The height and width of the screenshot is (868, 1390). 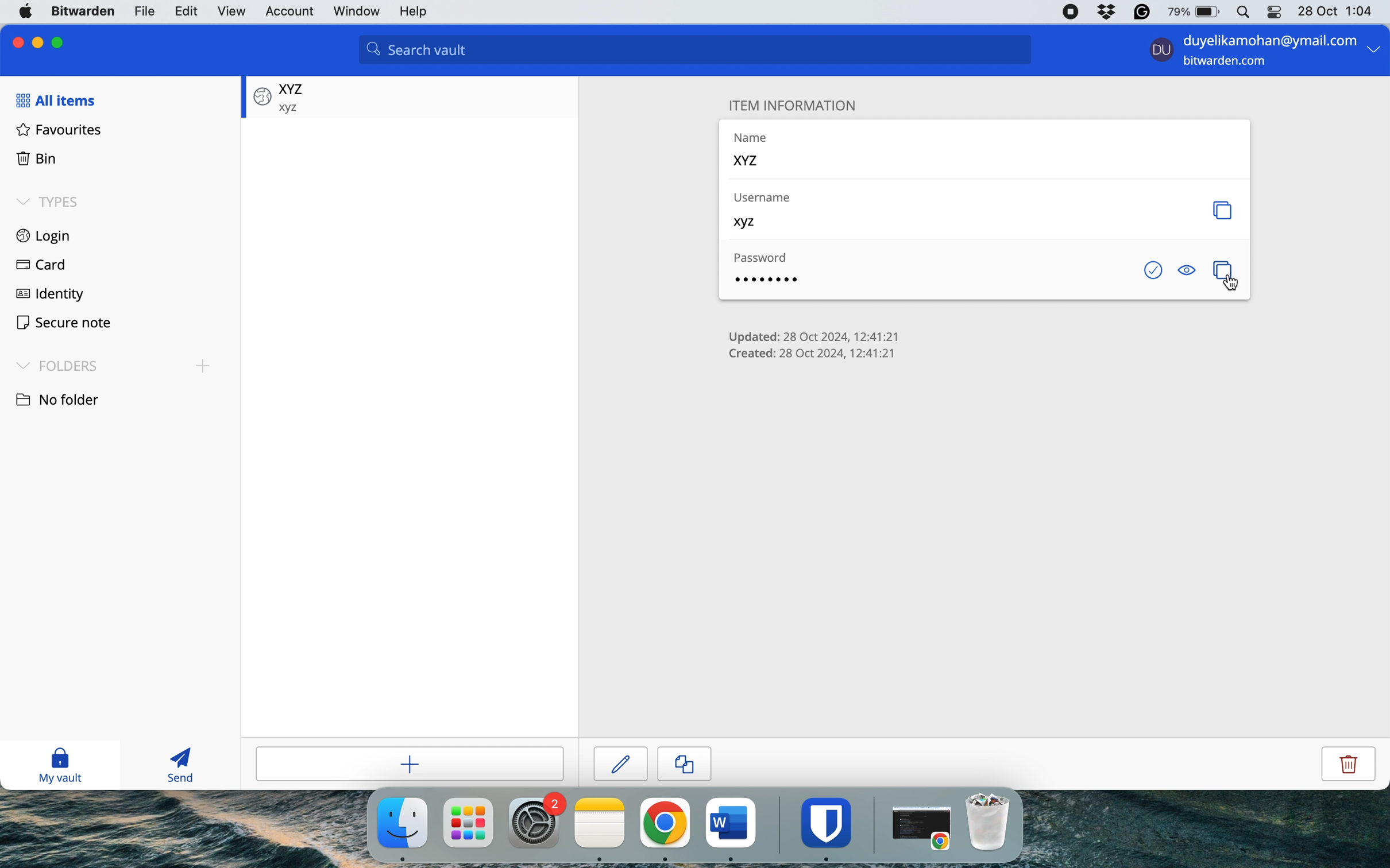 I want to click on no folder, so click(x=67, y=398).